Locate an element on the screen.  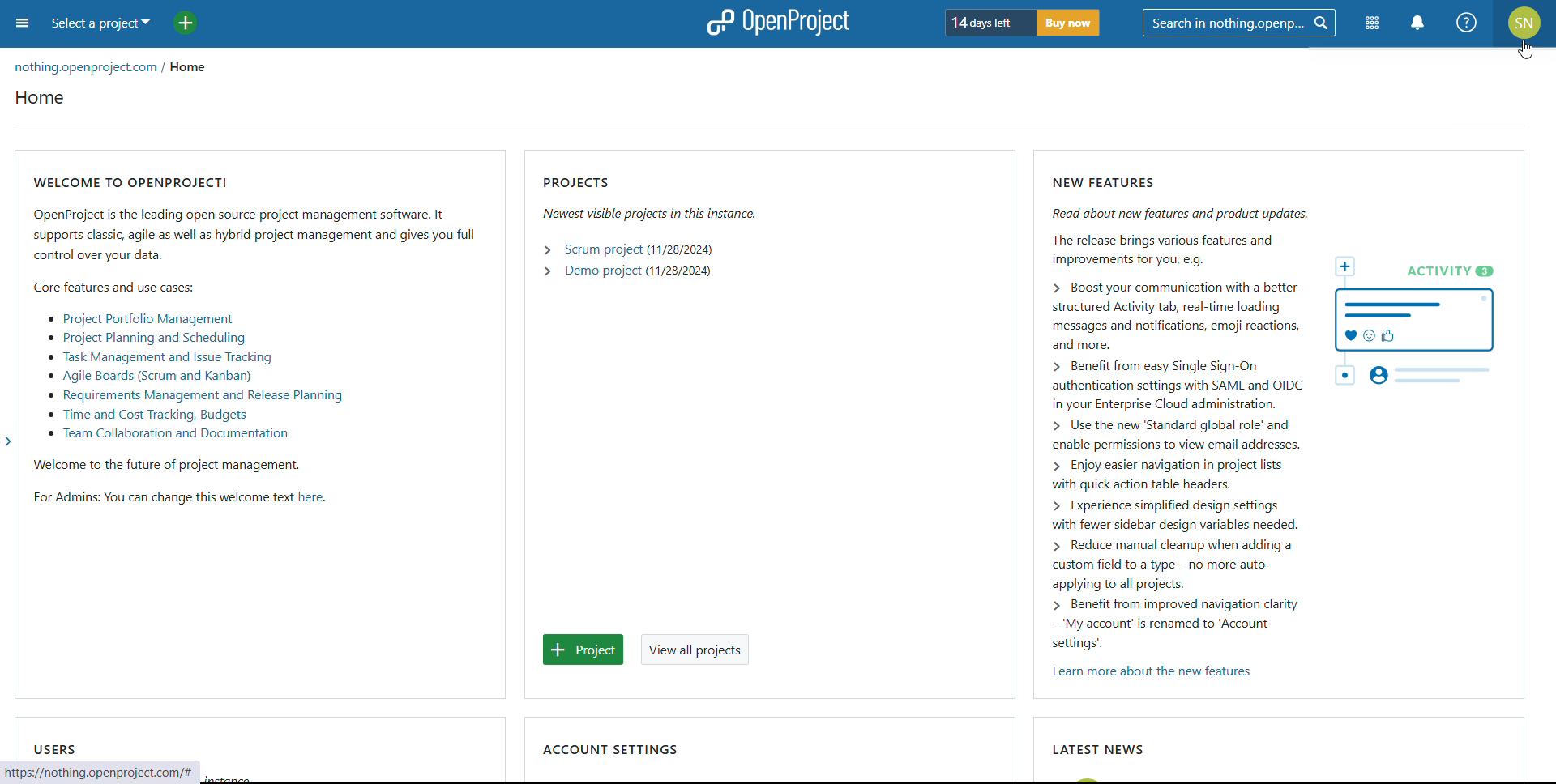
projects is located at coordinates (649, 179).